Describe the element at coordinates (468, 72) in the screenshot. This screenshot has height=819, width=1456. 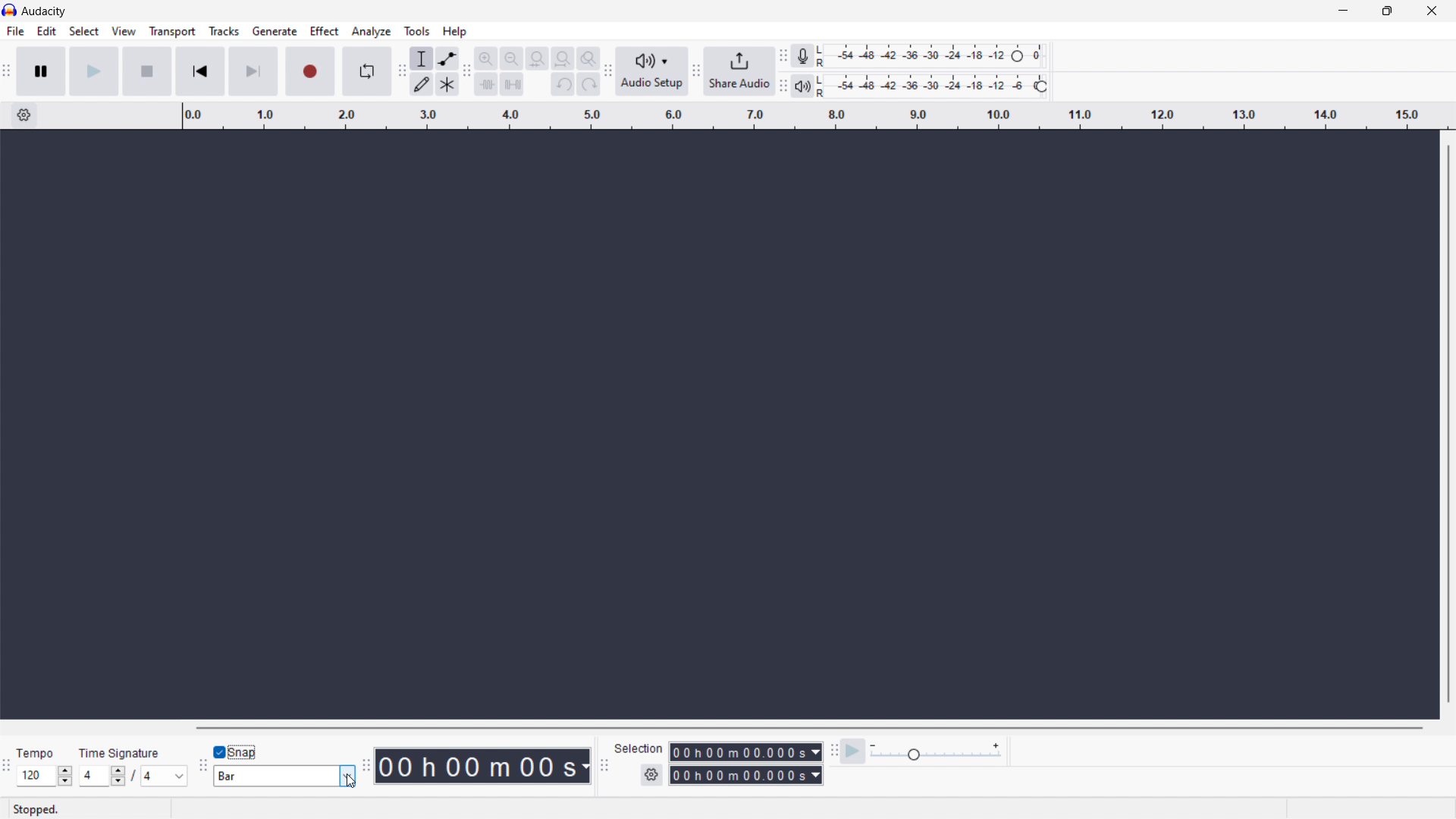
I see `audacity edit toolbar` at that location.